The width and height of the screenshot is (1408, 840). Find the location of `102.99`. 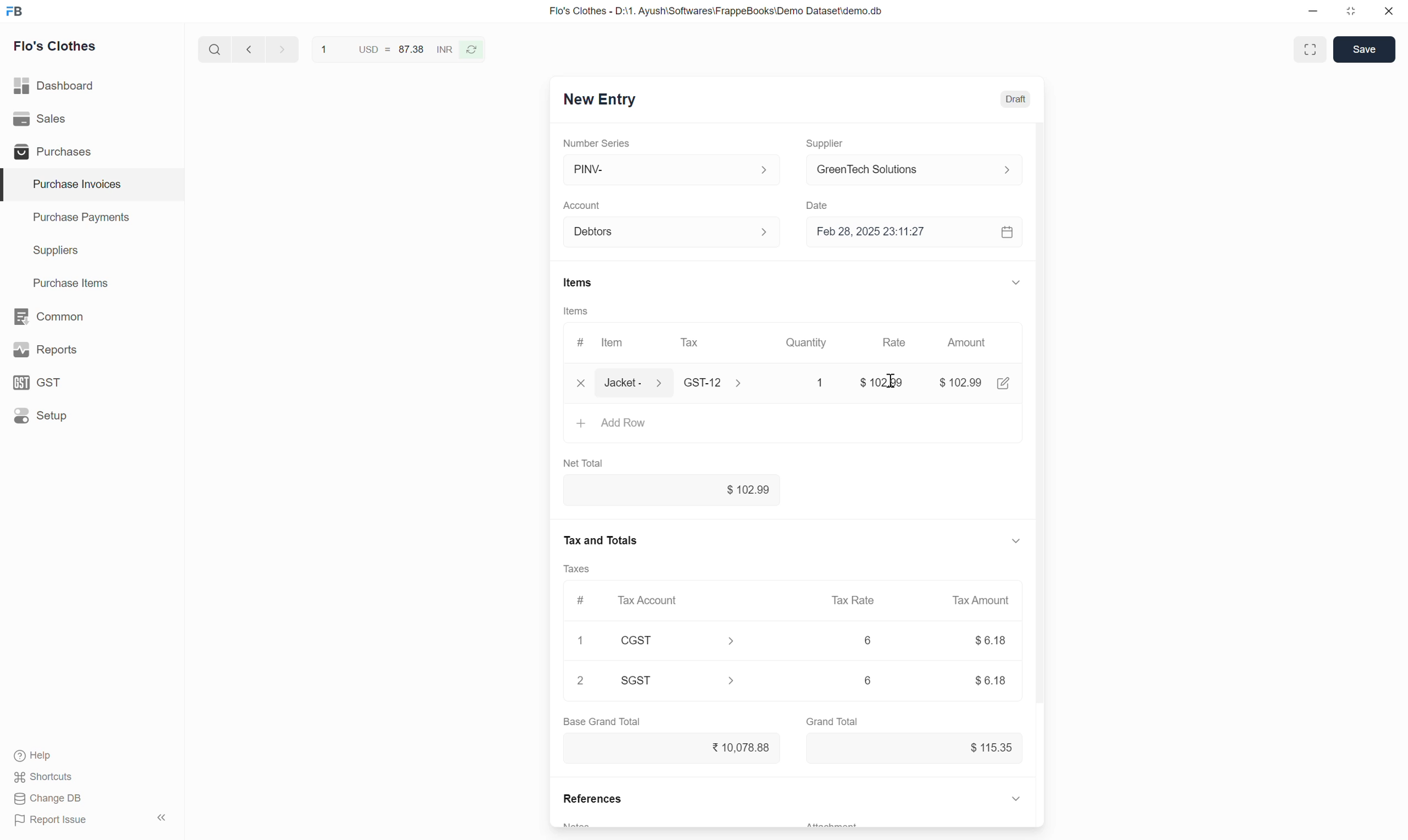

102.99 is located at coordinates (875, 379).